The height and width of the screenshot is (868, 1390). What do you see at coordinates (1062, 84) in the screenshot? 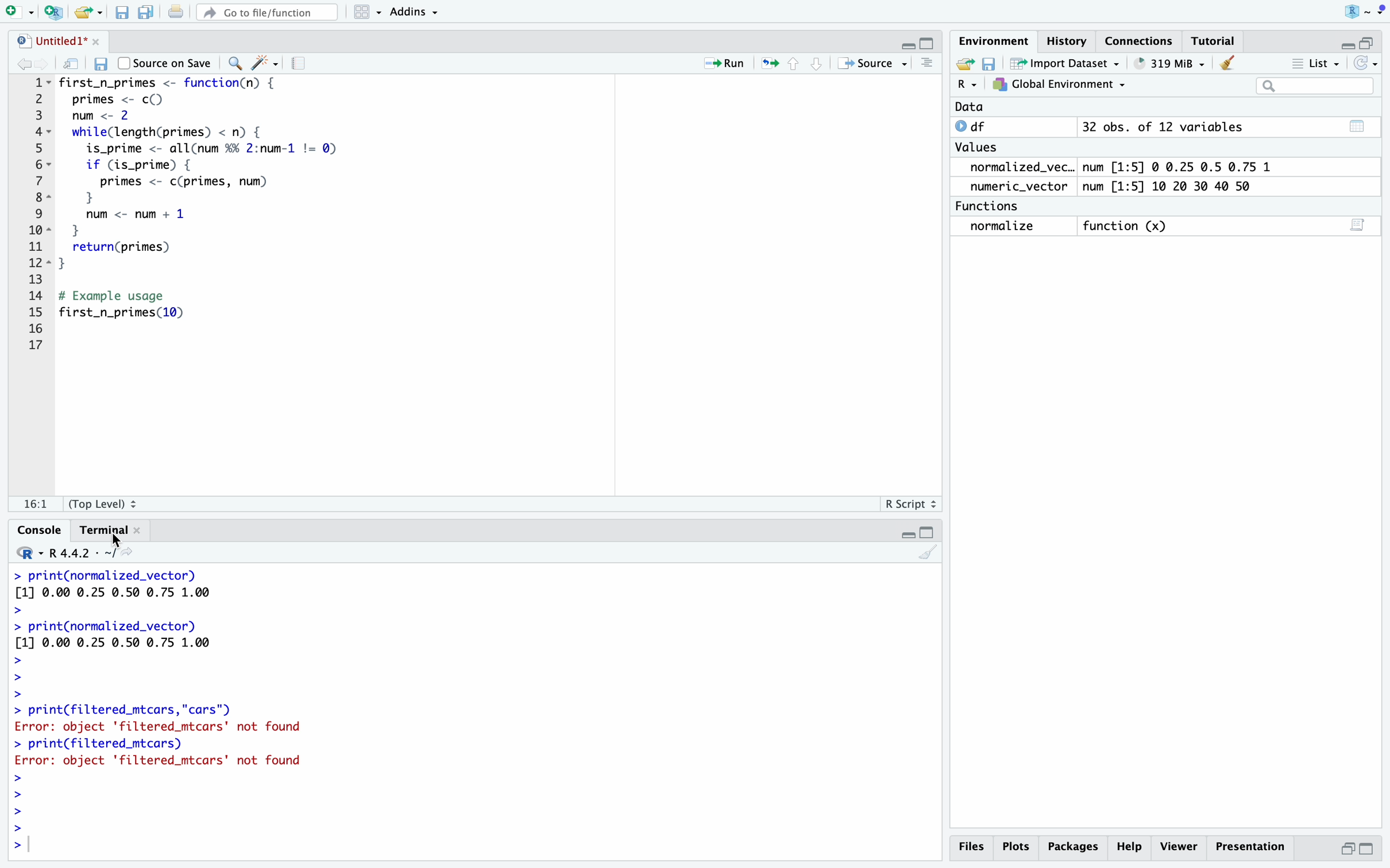
I see `7} Global Environment ~` at bounding box center [1062, 84].